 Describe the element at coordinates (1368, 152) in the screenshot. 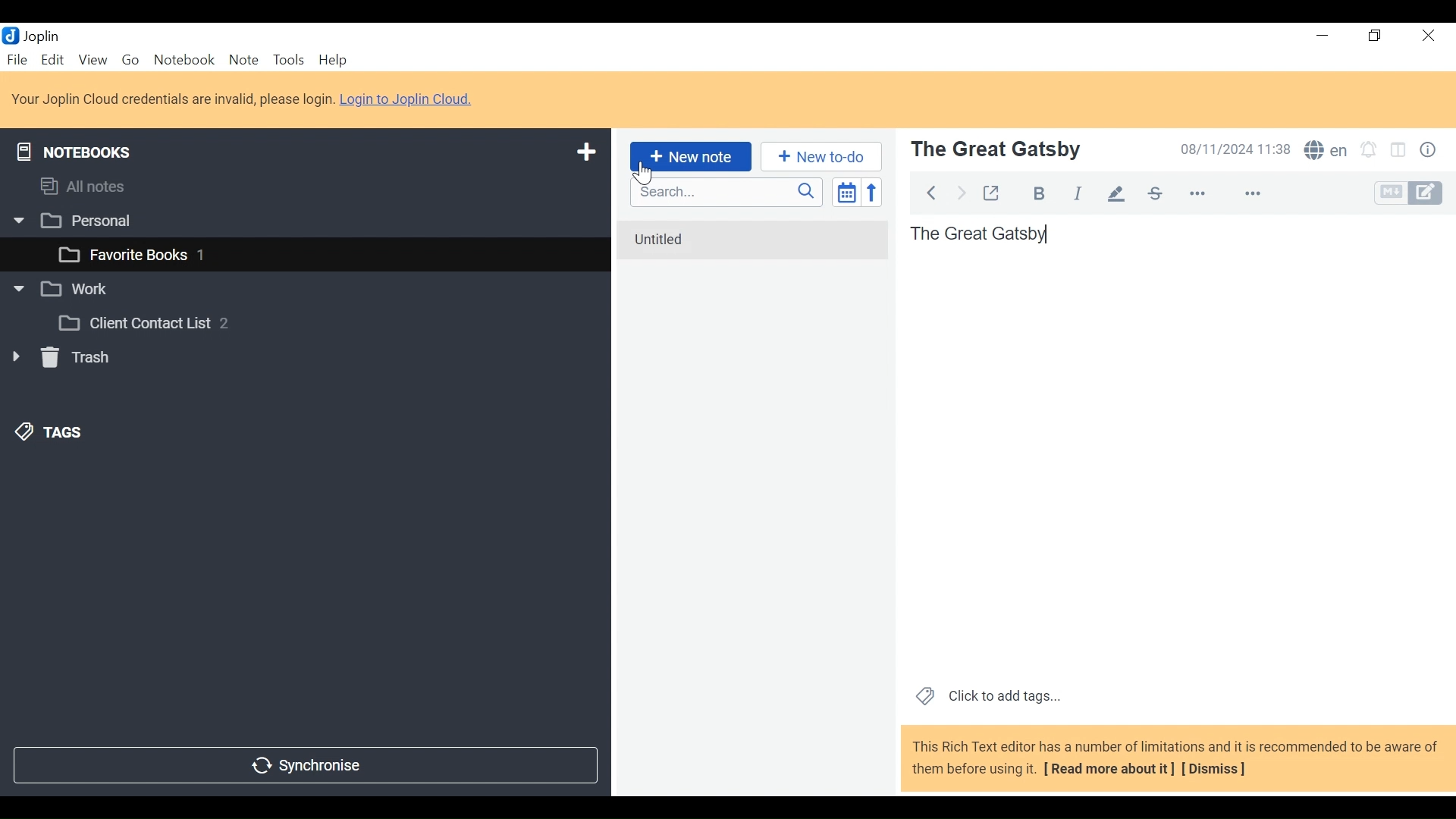

I see `Set alarms` at that location.